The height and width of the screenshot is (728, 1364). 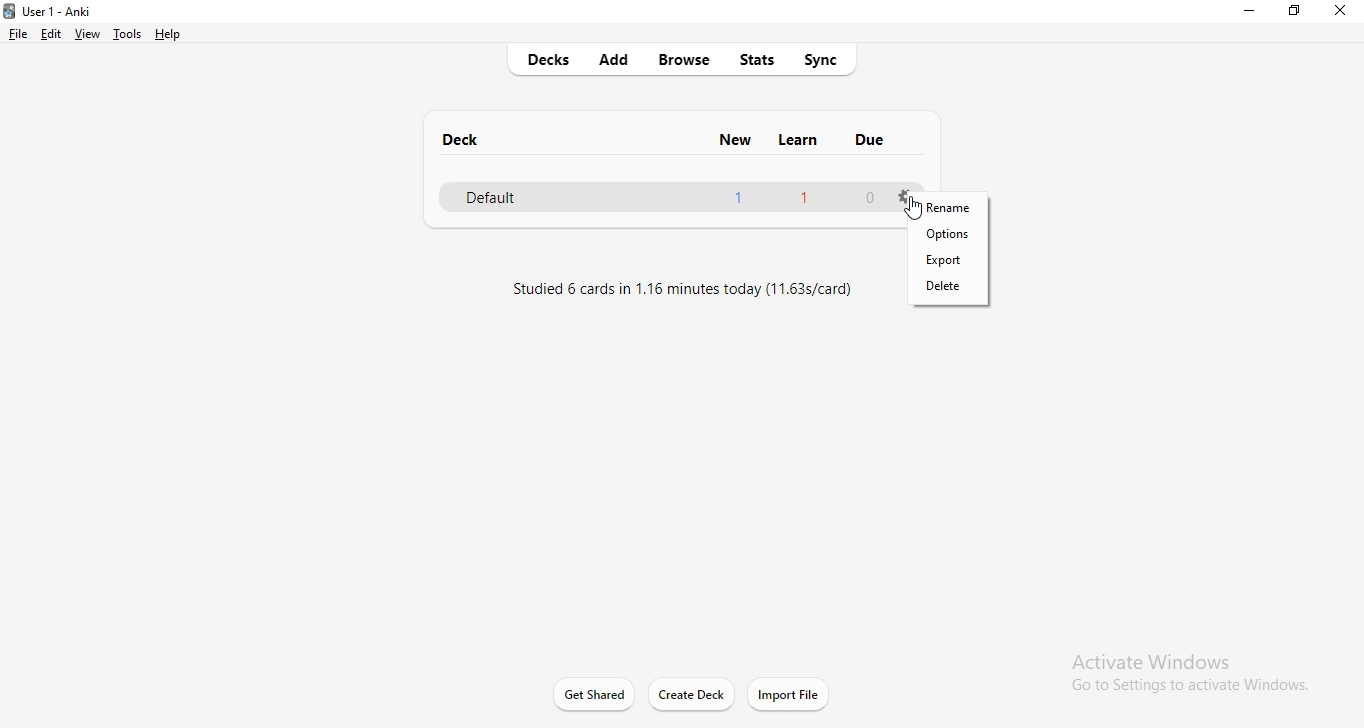 What do you see at coordinates (948, 209) in the screenshot?
I see `rename` at bounding box center [948, 209].